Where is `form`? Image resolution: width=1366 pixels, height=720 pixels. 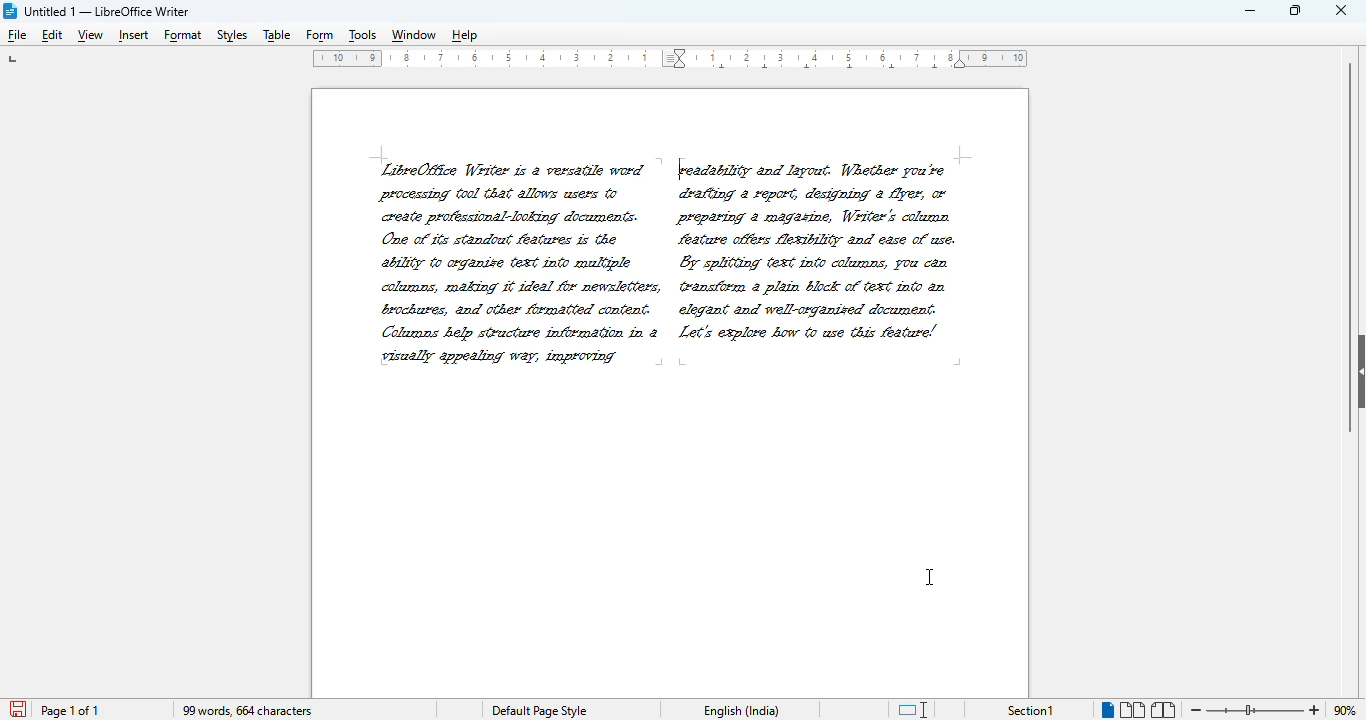
form is located at coordinates (320, 37).